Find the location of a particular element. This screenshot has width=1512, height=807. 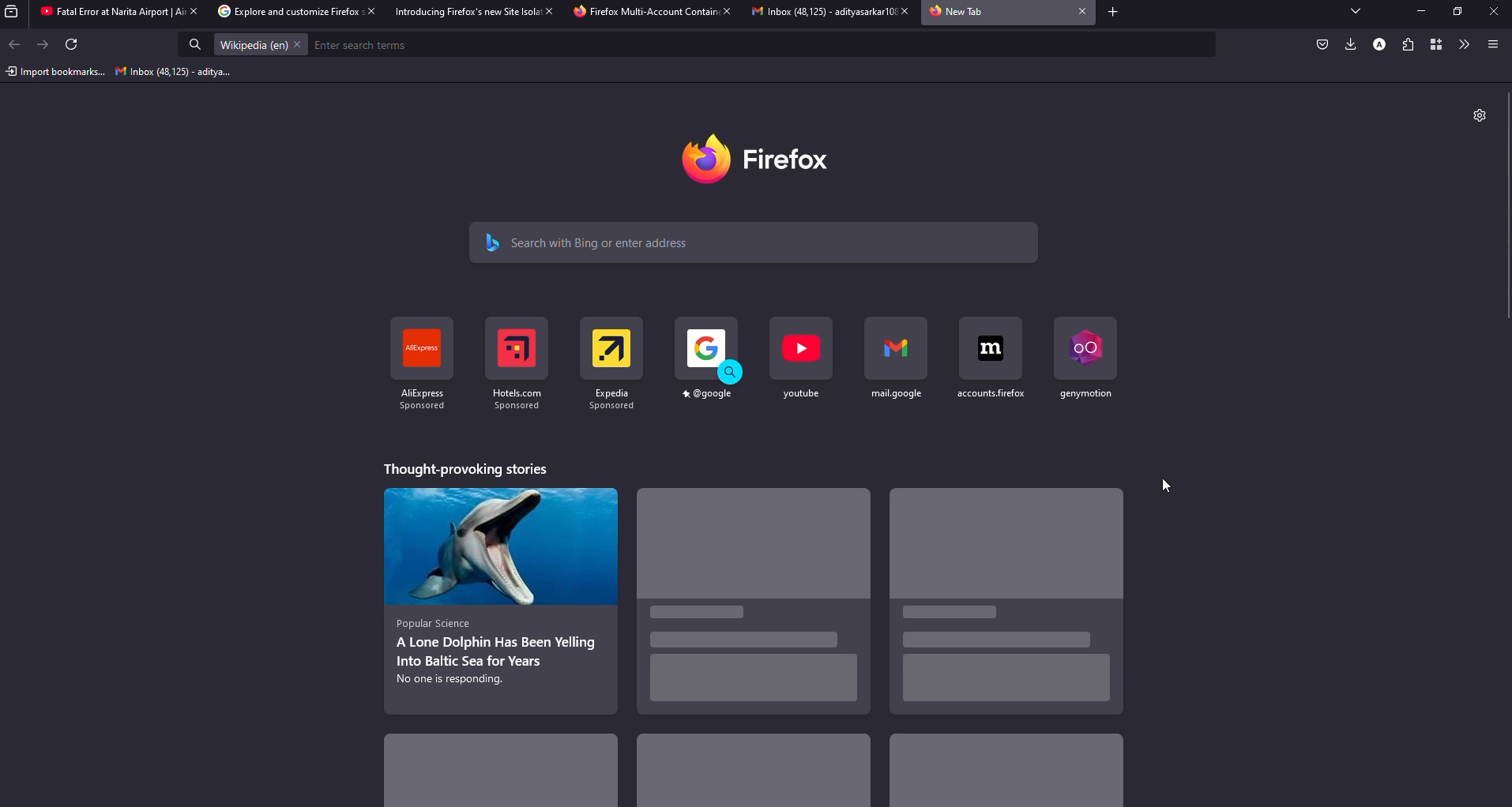

close is located at coordinates (1492, 12).